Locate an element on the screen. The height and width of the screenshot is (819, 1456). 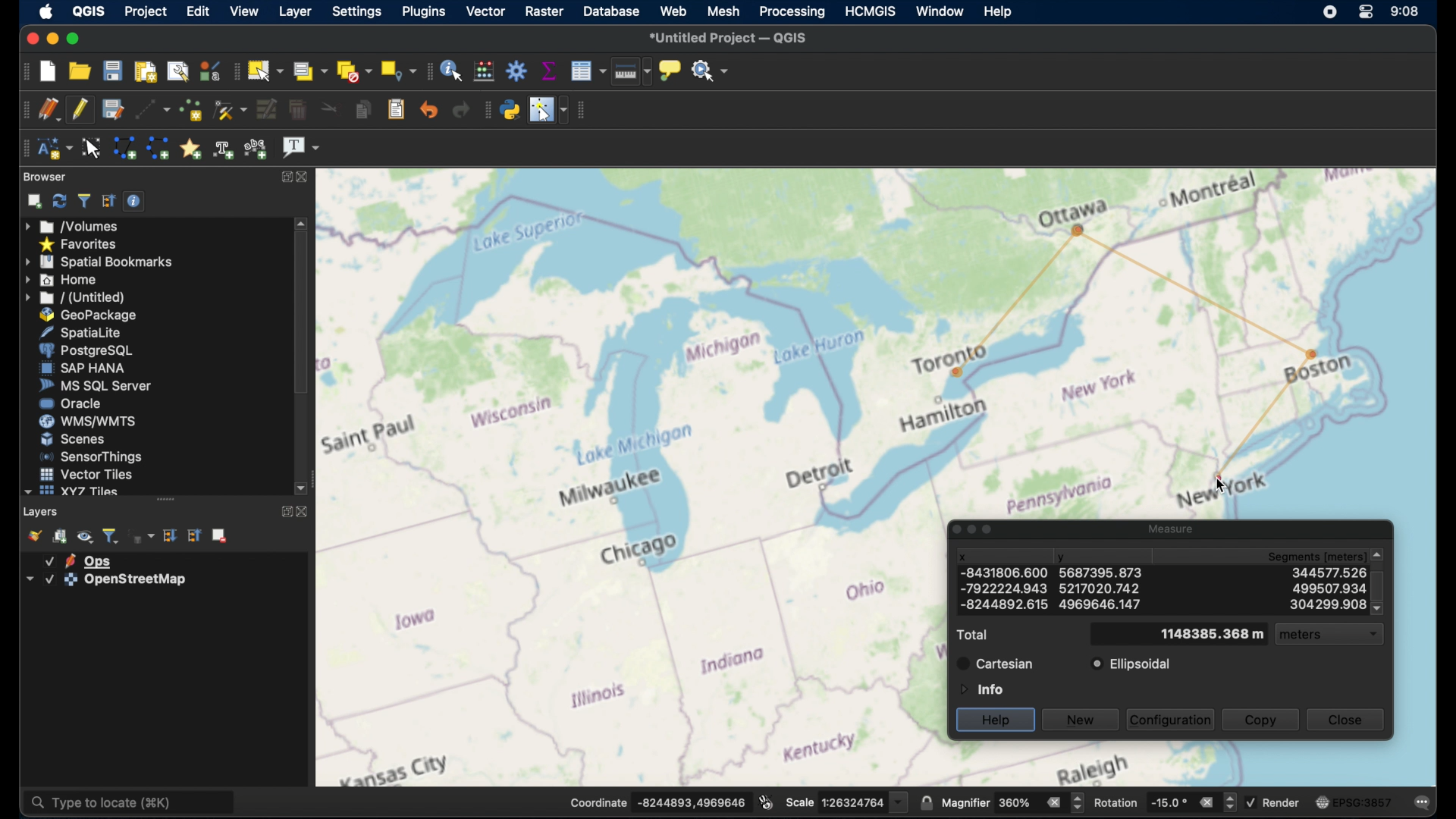
y is located at coordinates (1103, 588).